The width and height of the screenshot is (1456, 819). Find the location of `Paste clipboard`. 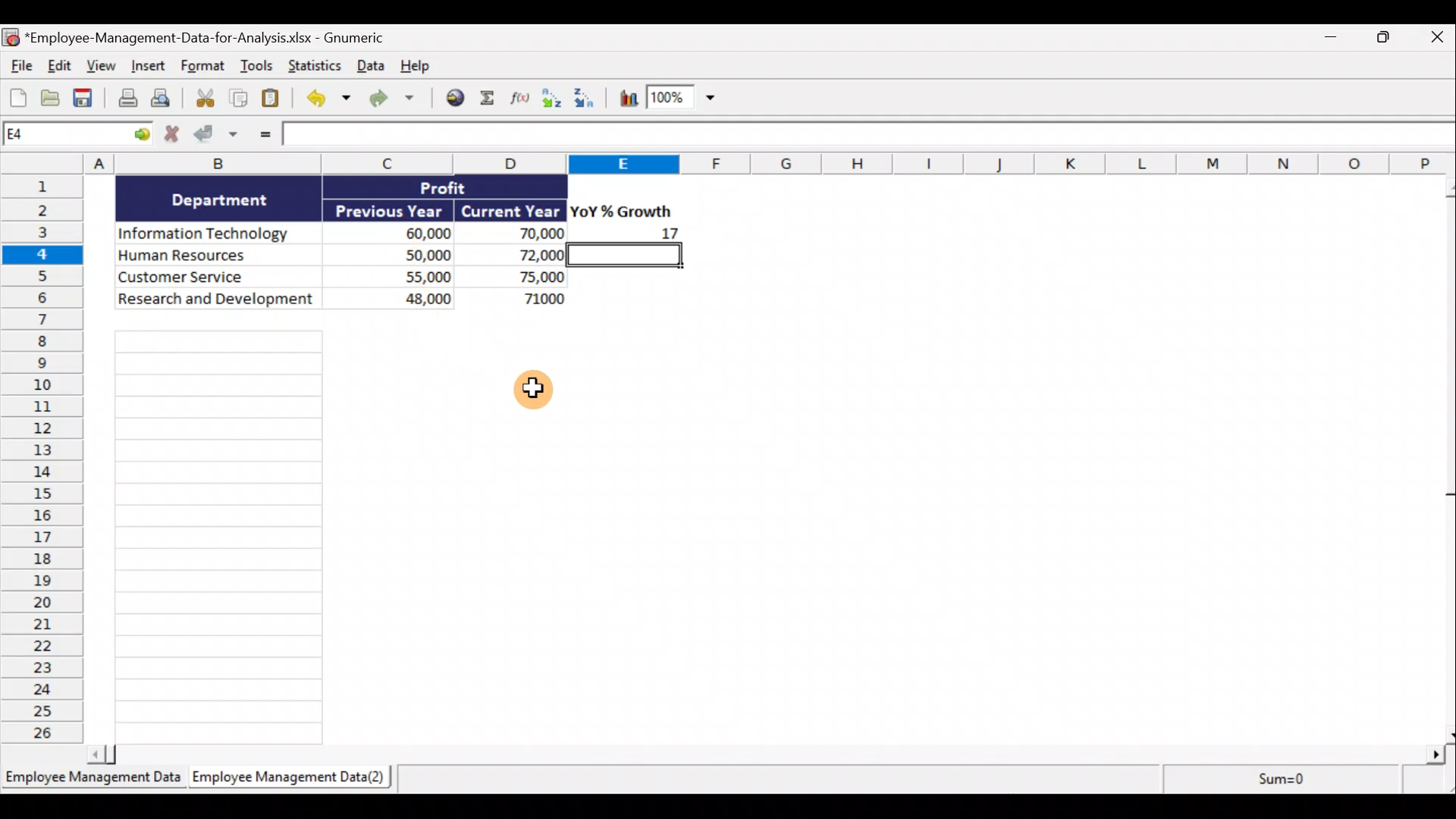

Paste clipboard is located at coordinates (274, 99).